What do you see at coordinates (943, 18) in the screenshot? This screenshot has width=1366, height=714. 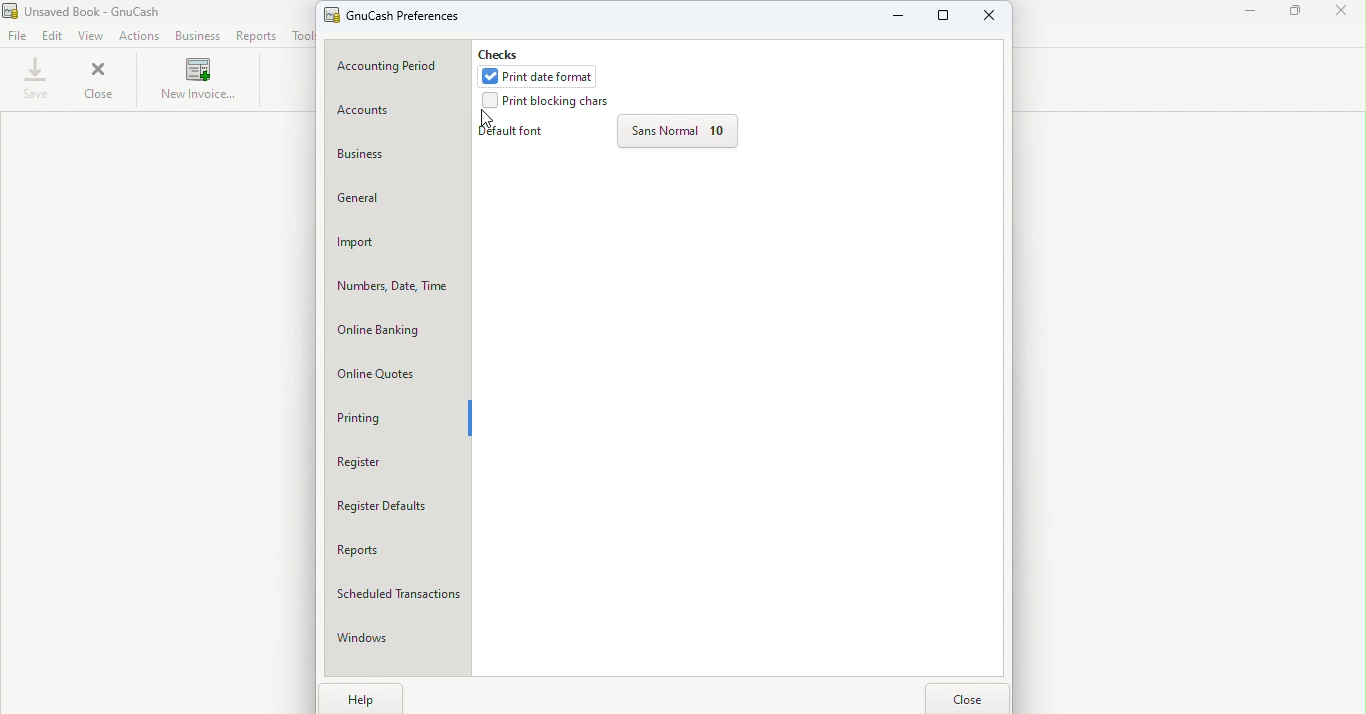 I see `Maximize` at bounding box center [943, 18].